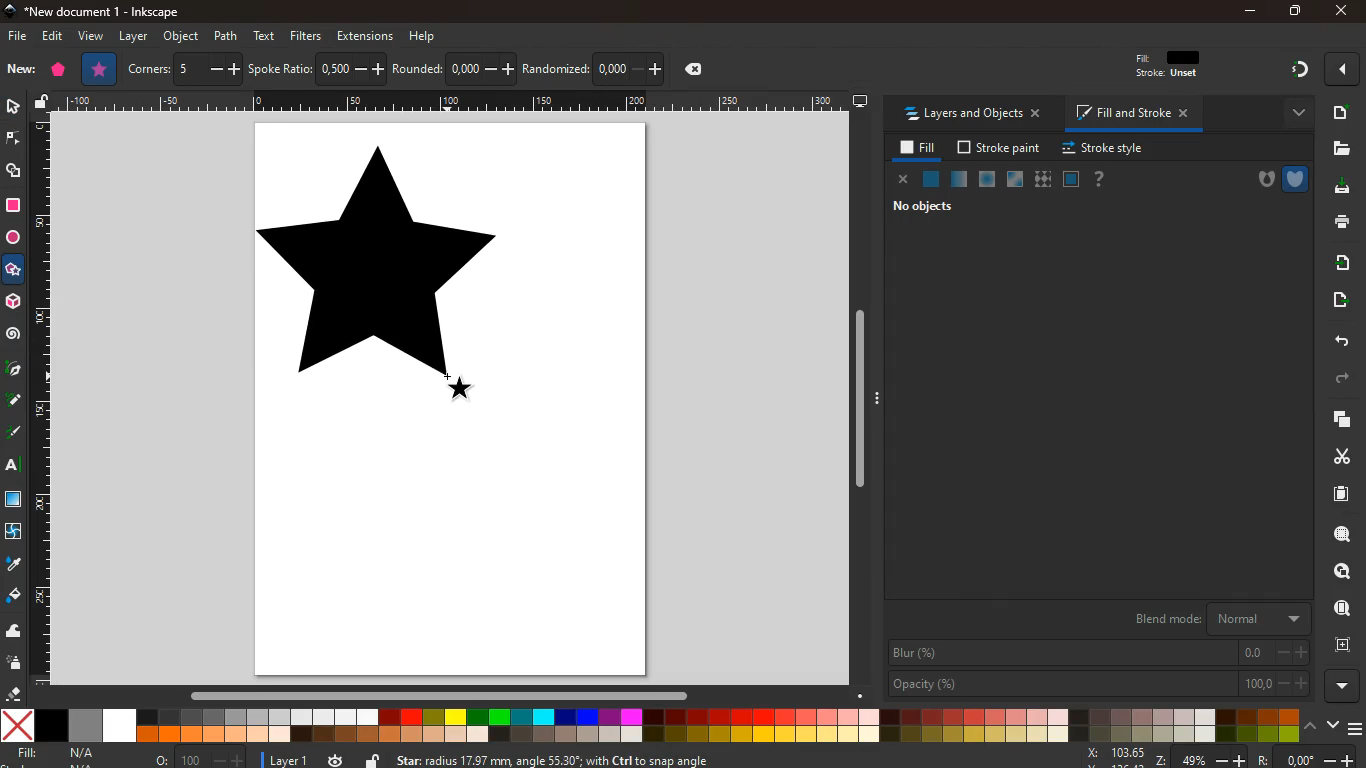 The width and height of the screenshot is (1366, 768). What do you see at coordinates (19, 36) in the screenshot?
I see `file` at bounding box center [19, 36].